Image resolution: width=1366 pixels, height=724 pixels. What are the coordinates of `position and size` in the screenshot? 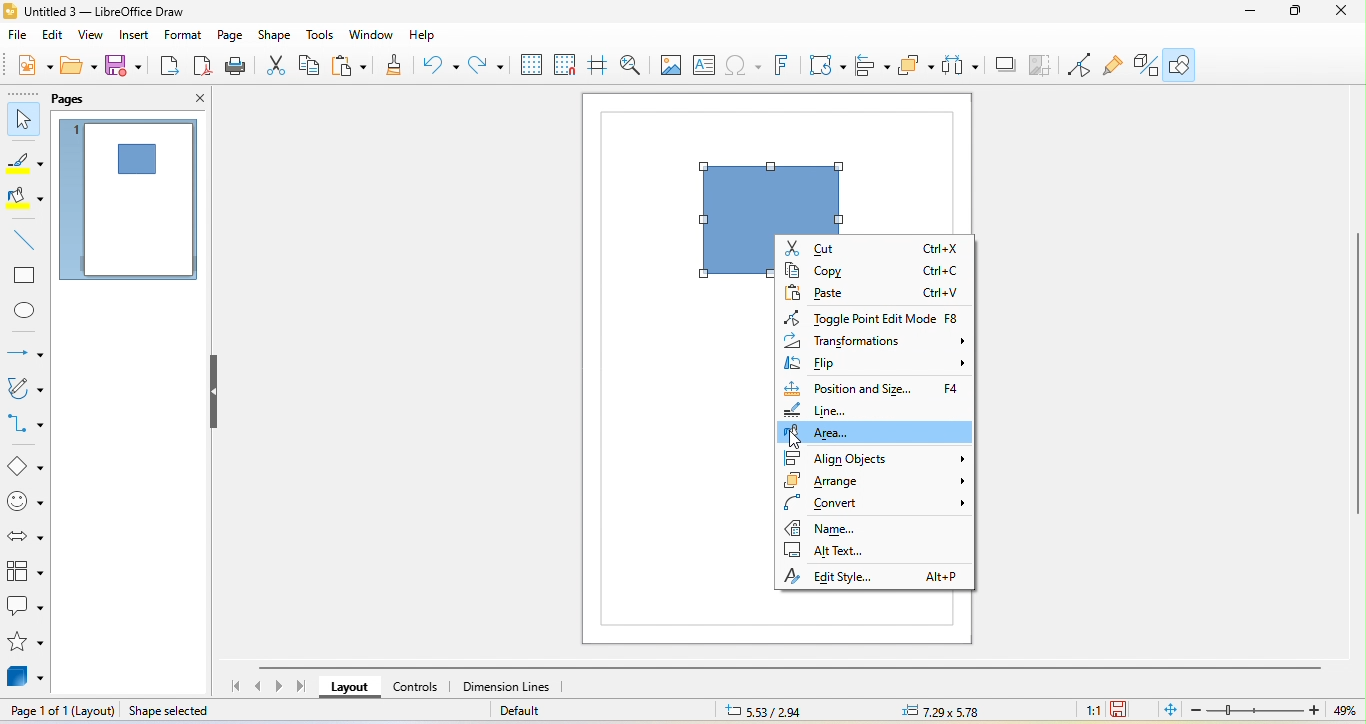 It's located at (875, 390).